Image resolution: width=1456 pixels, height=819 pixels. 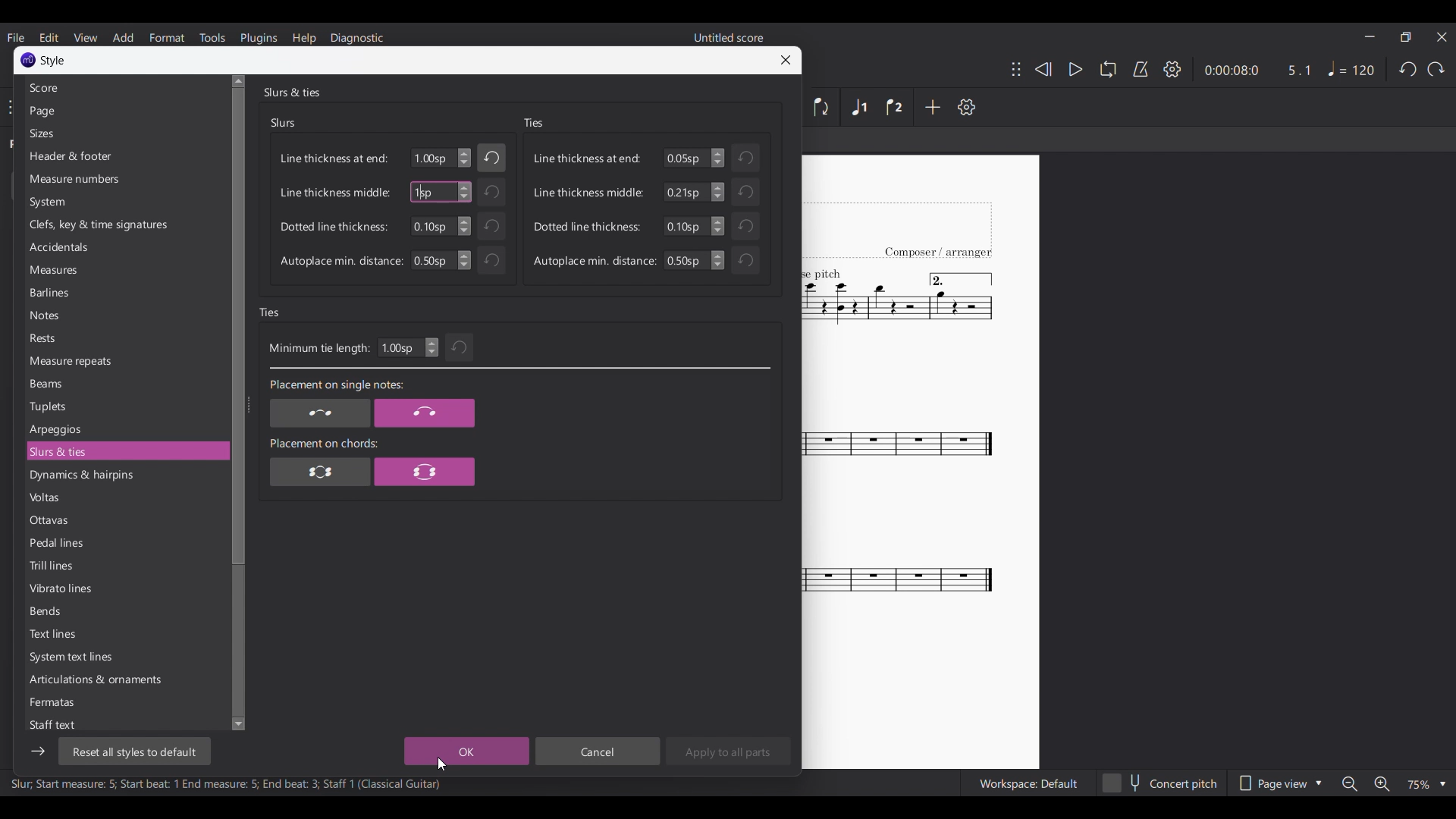 I want to click on Style, so click(x=54, y=61).